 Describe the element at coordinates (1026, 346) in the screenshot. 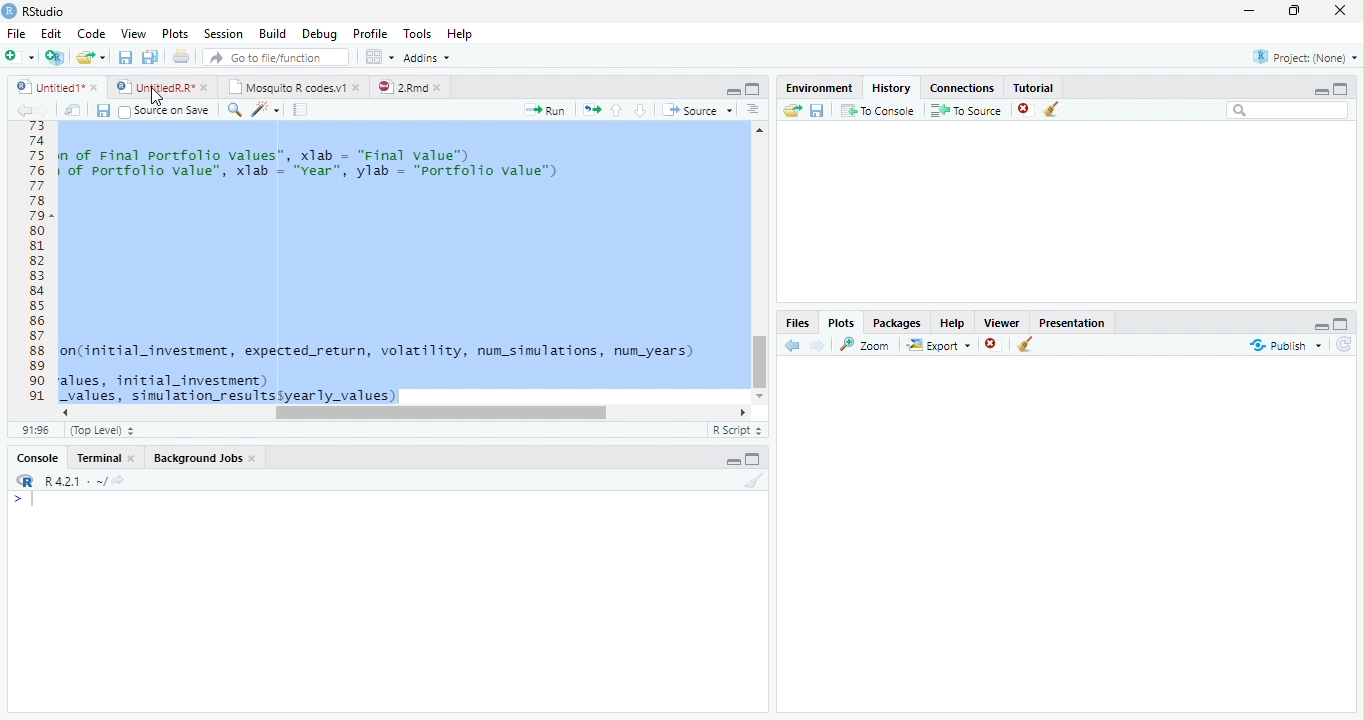

I see `Clear` at that location.